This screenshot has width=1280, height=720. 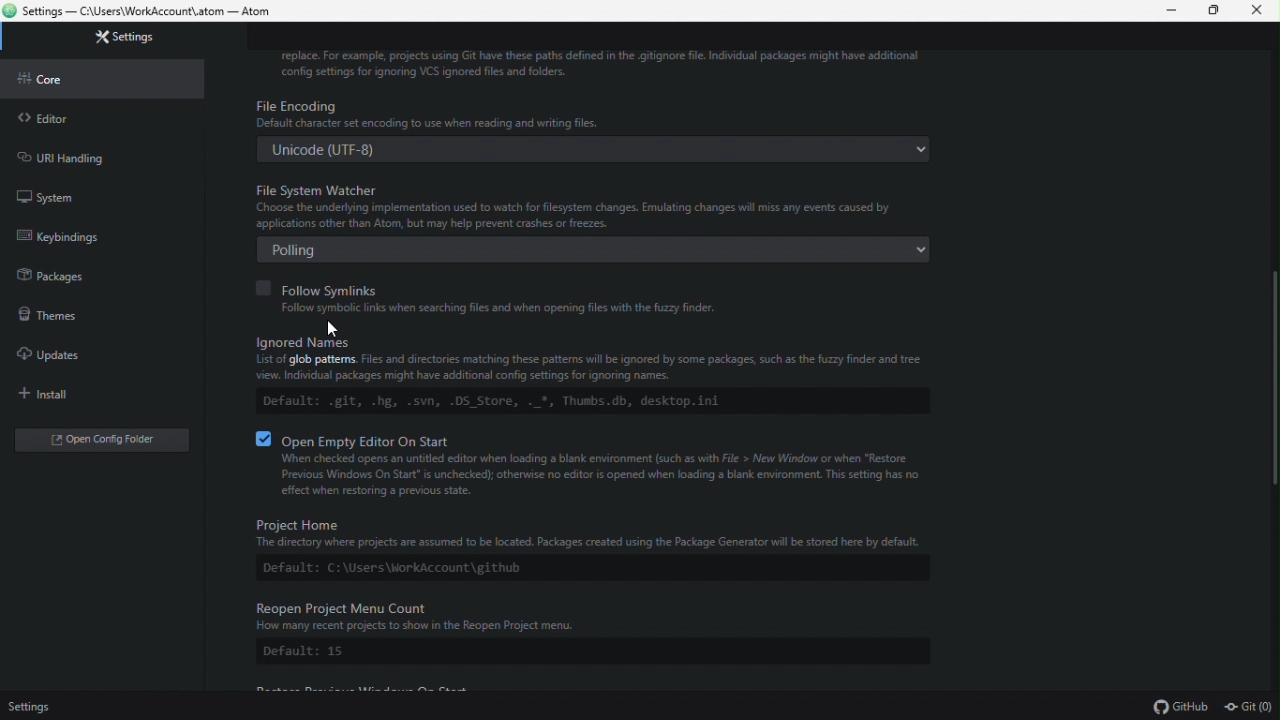 What do you see at coordinates (584, 618) in the screenshot?
I see `Reopen Project Menu Count How many recent projects to show in the Reopen Project menu.` at bounding box center [584, 618].